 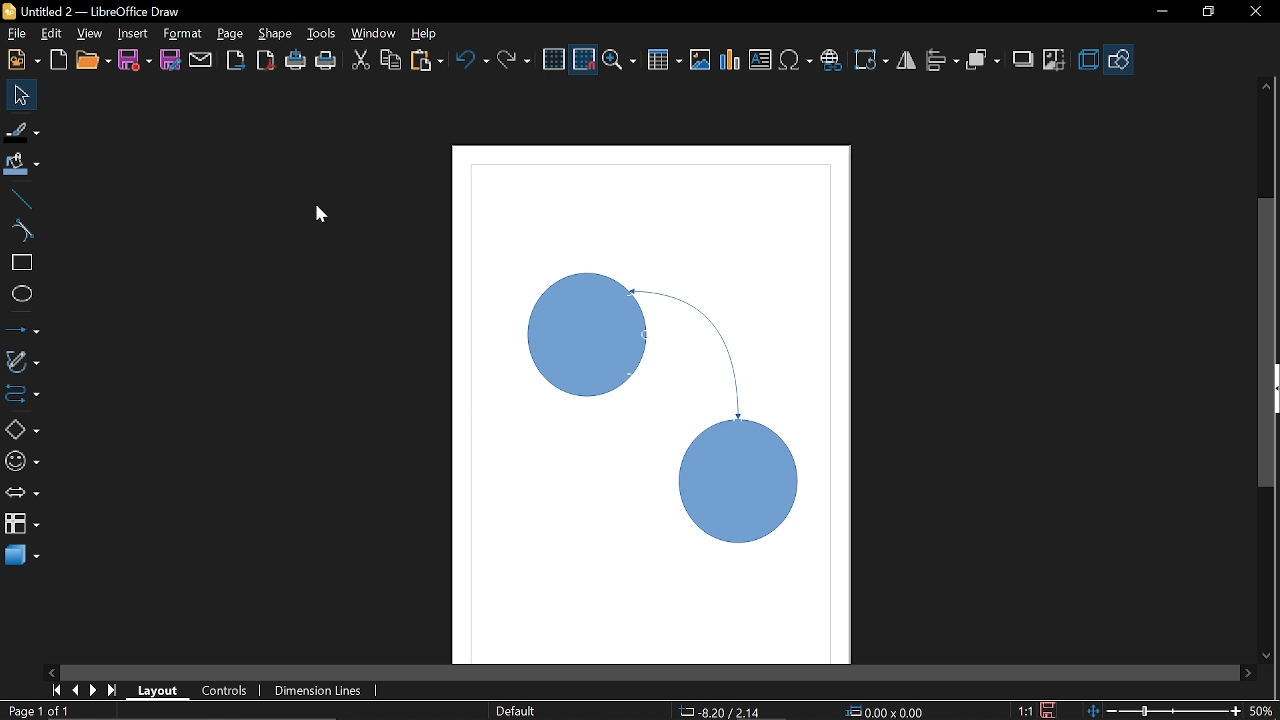 What do you see at coordinates (54, 691) in the screenshot?
I see `go to first page` at bounding box center [54, 691].